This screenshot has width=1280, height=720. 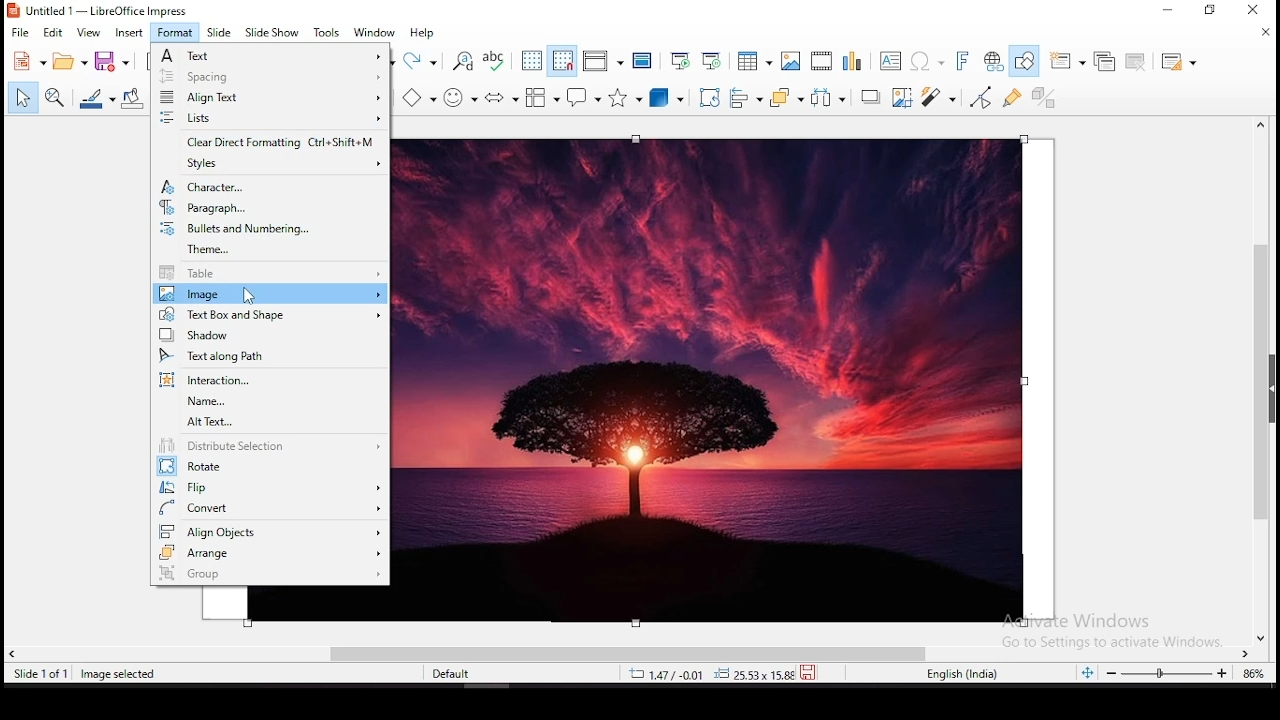 What do you see at coordinates (271, 486) in the screenshot?
I see `flip` at bounding box center [271, 486].